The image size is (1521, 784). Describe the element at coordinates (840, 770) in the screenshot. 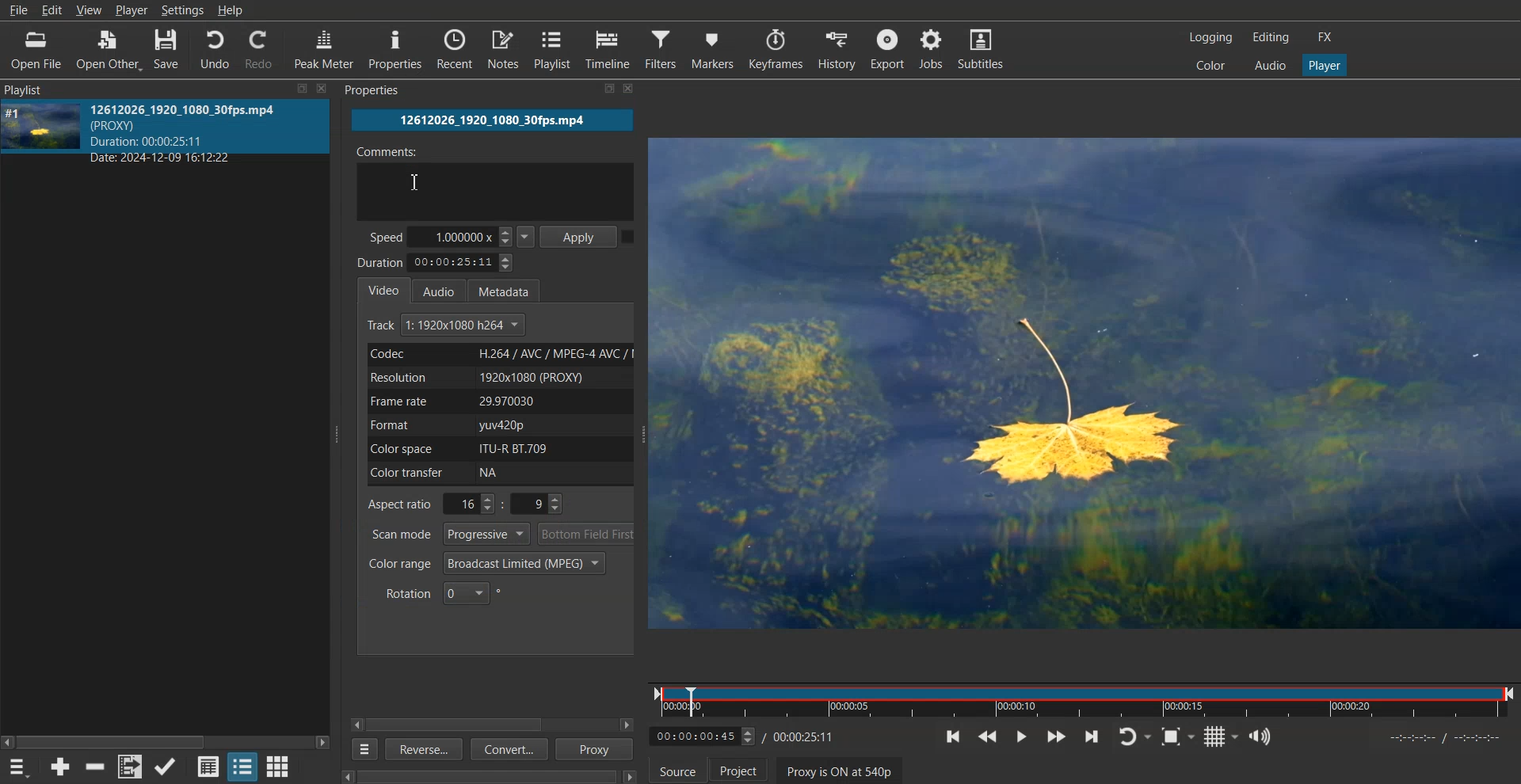

I see `Proxy is ON at 540p` at that location.